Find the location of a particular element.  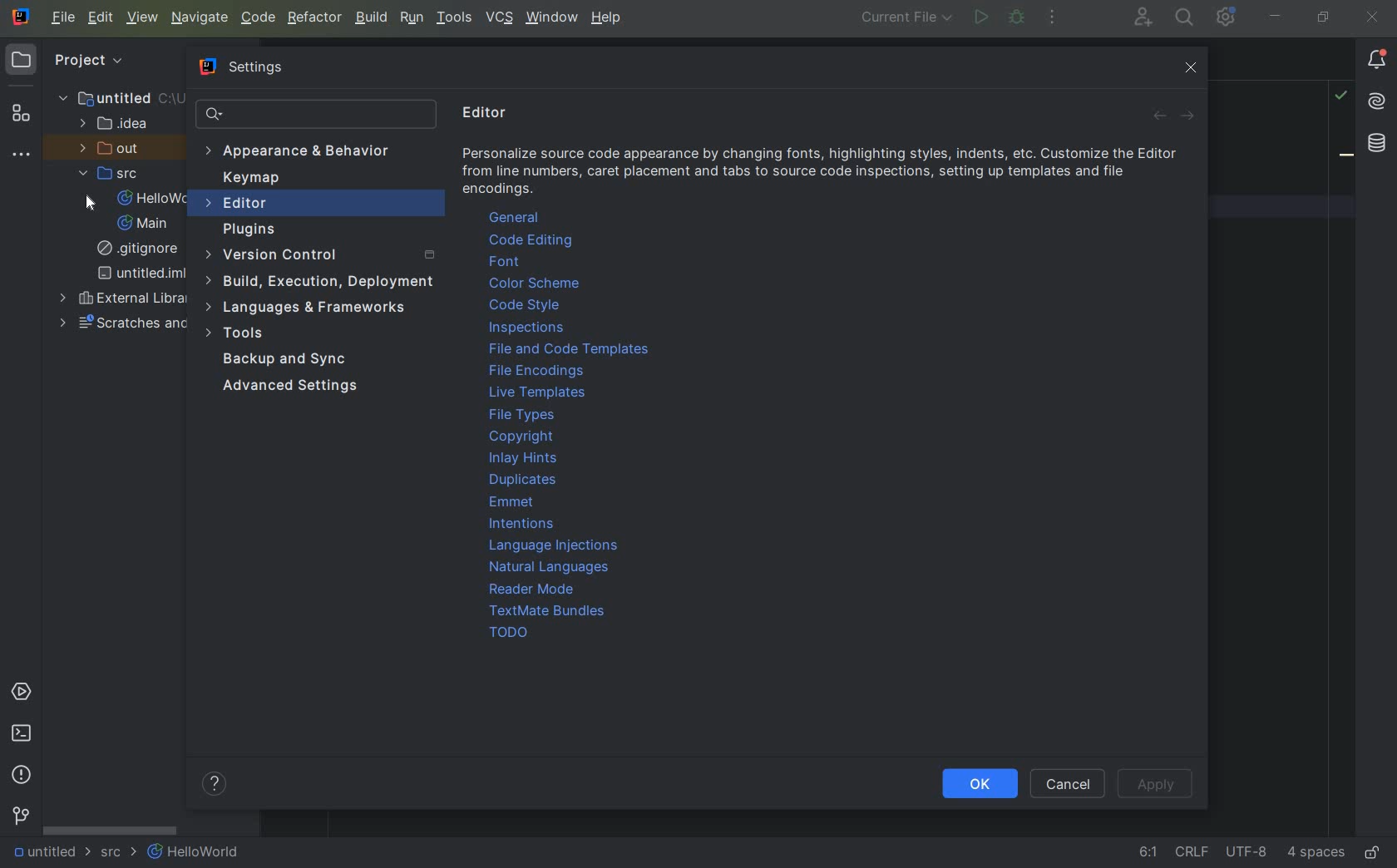

tools is located at coordinates (239, 333).